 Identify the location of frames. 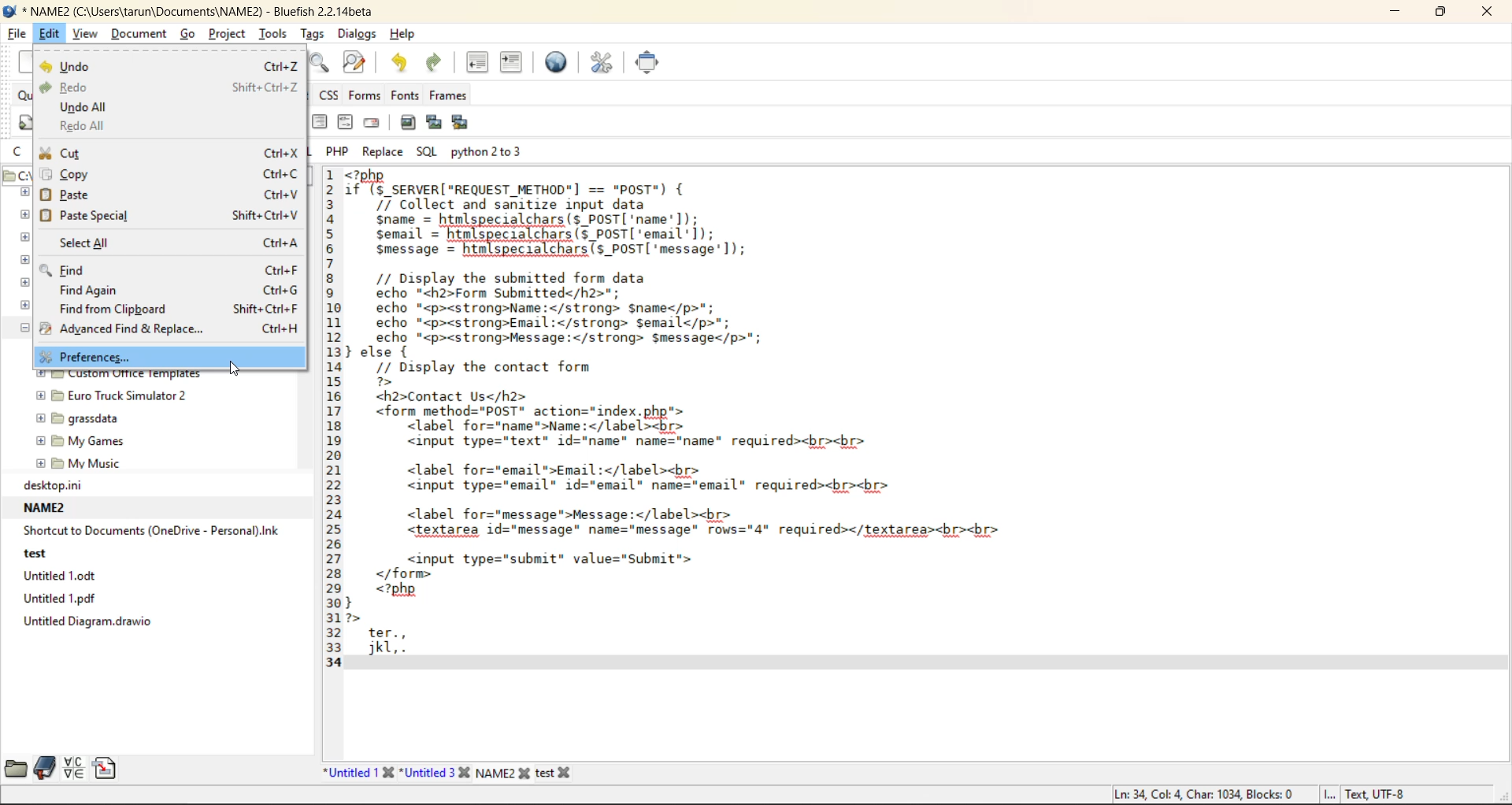
(451, 95).